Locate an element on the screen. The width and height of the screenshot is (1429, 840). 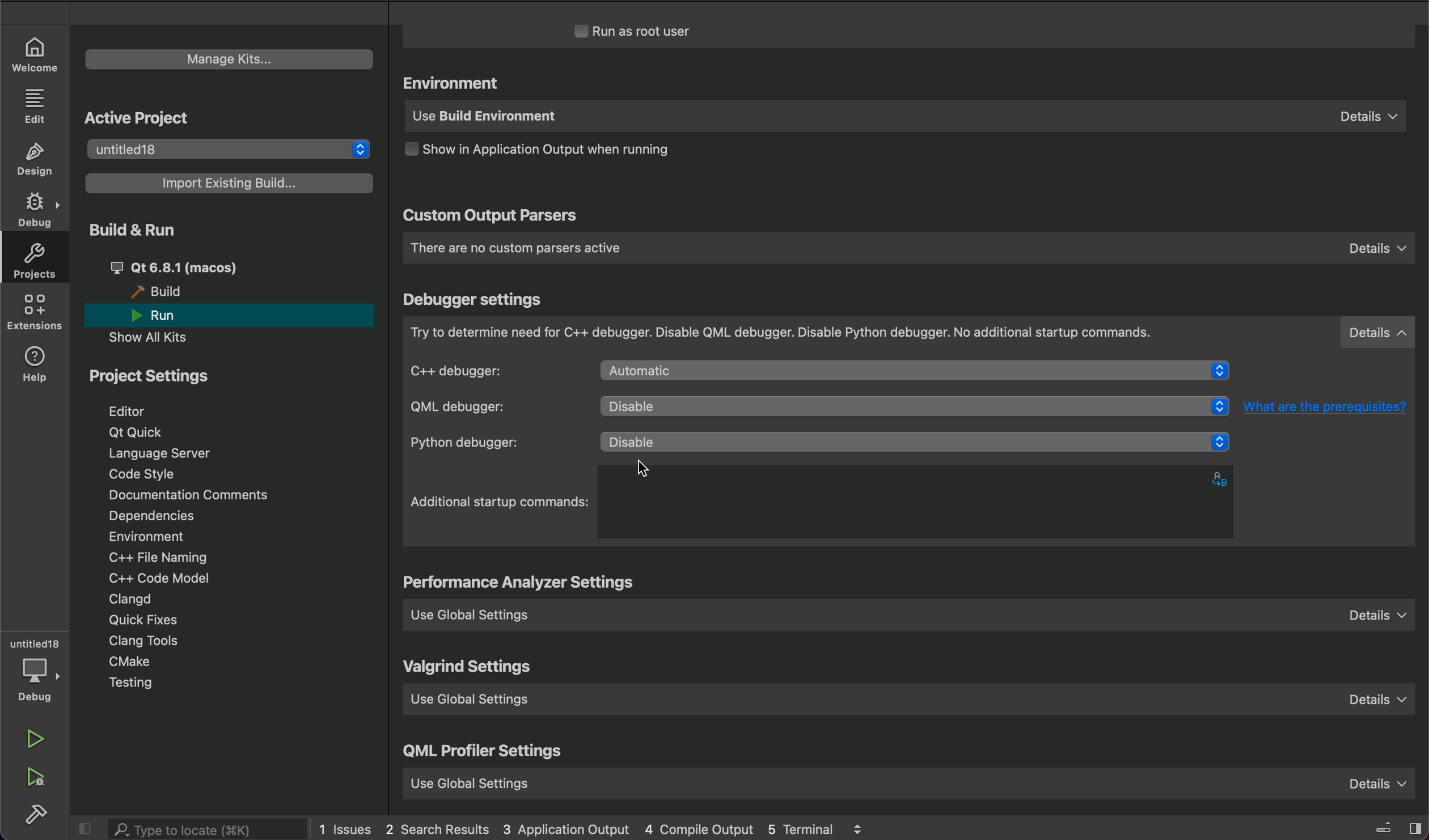
python debugger is located at coordinates (492, 443).